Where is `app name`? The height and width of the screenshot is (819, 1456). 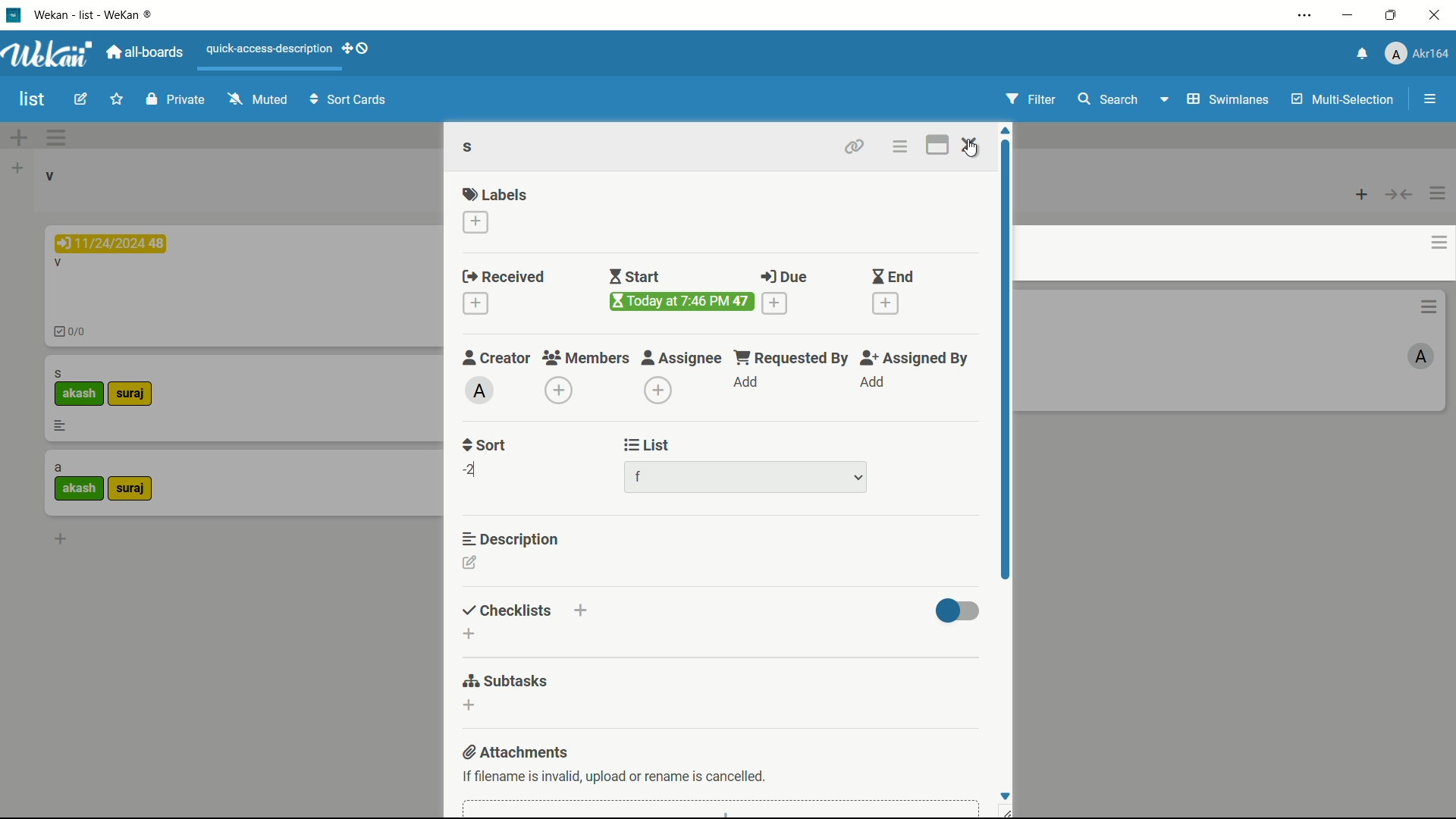 app name is located at coordinates (99, 17).